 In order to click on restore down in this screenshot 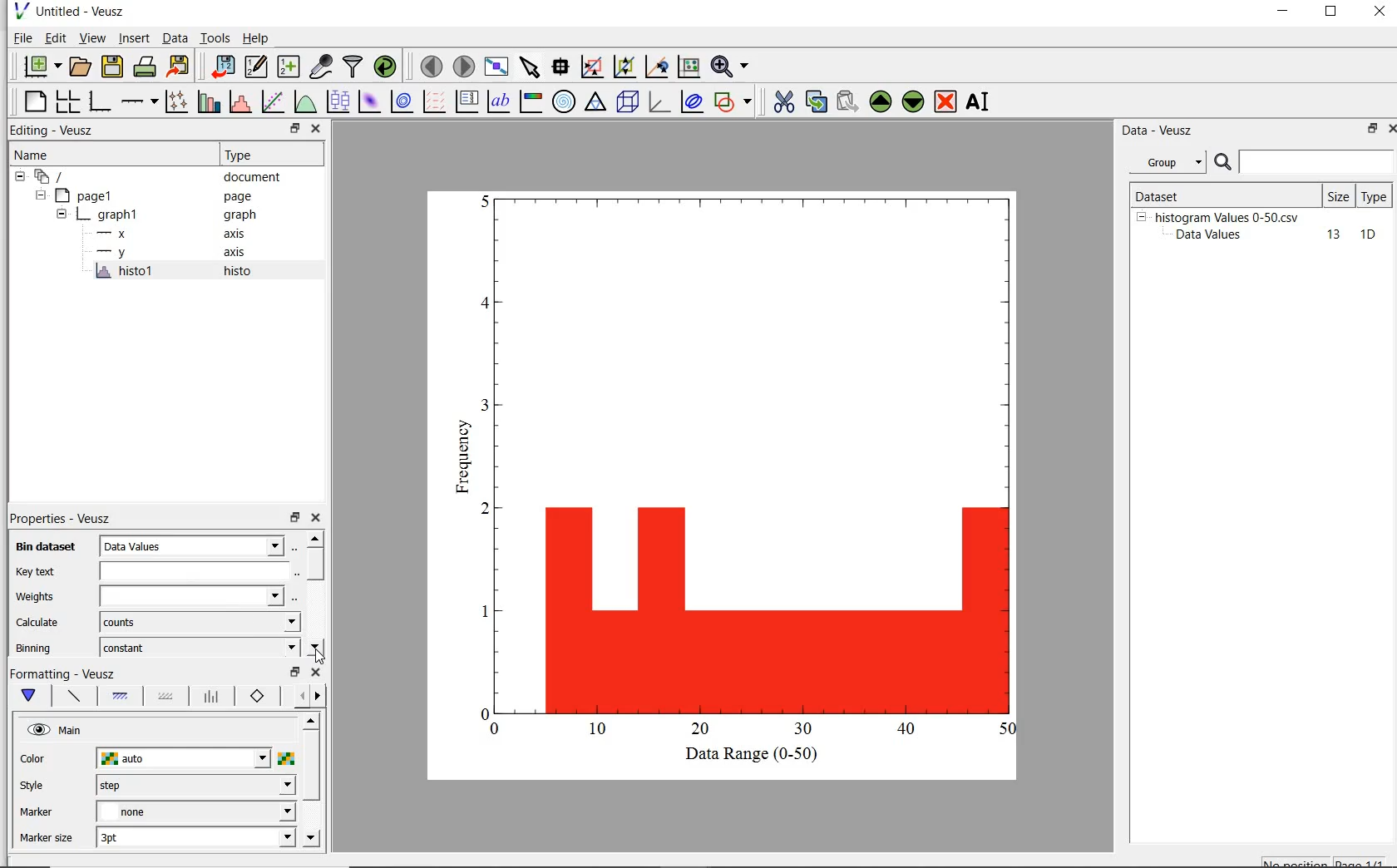, I will do `click(294, 129)`.